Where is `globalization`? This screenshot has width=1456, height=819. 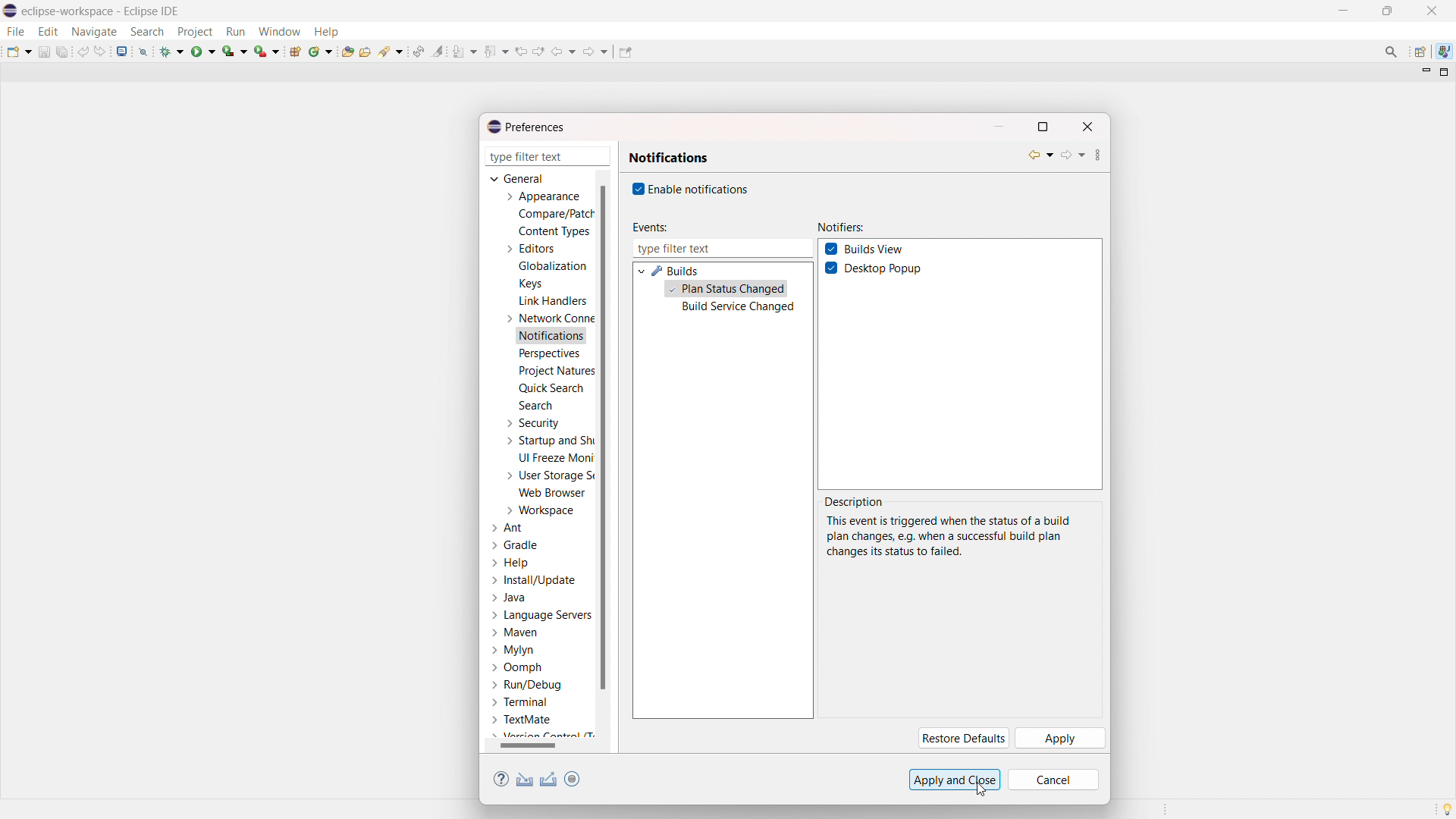 globalization is located at coordinates (554, 265).